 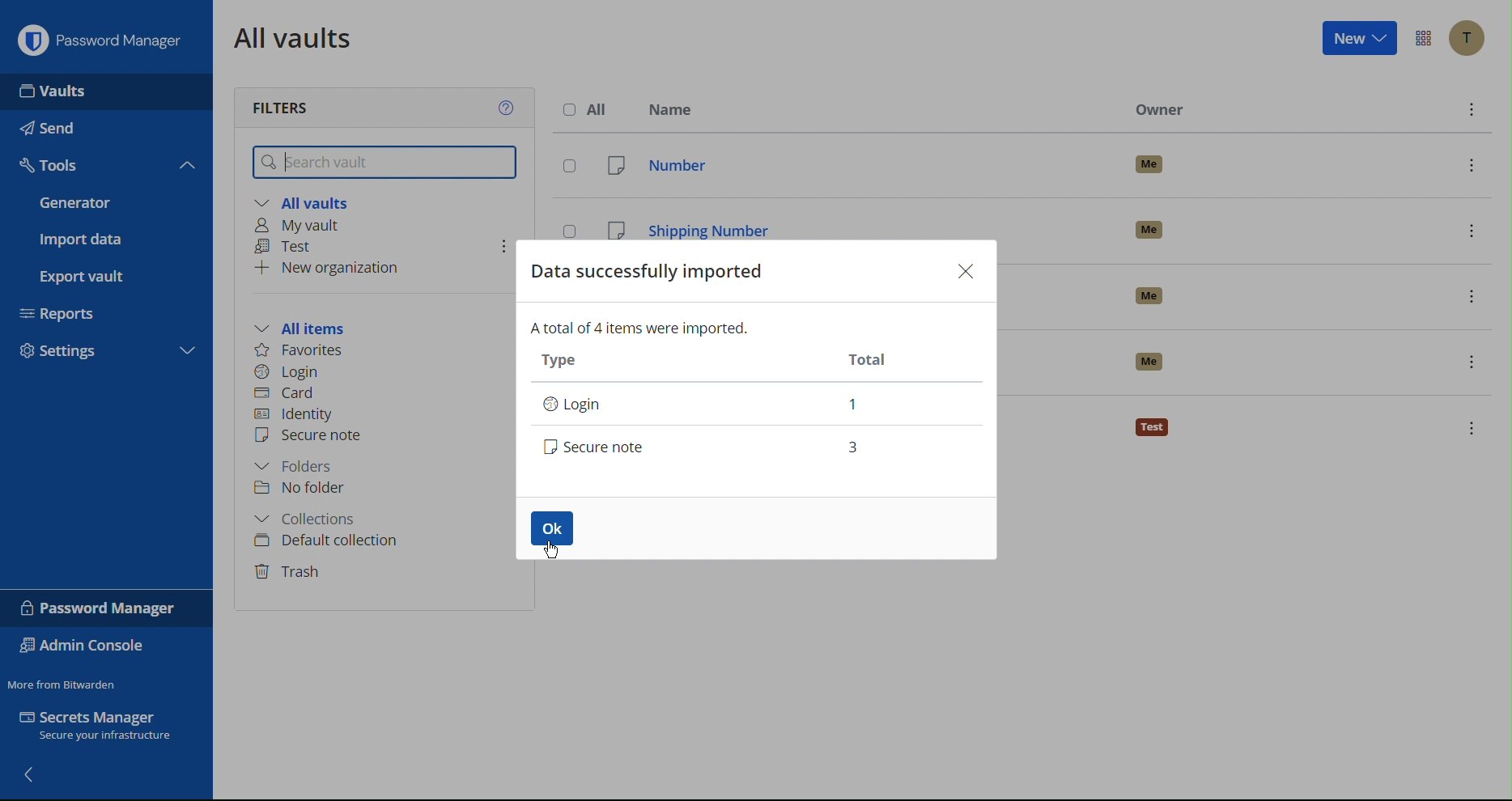 What do you see at coordinates (297, 38) in the screenshot?
I see `All vaults` at bounding box center [297, 38].